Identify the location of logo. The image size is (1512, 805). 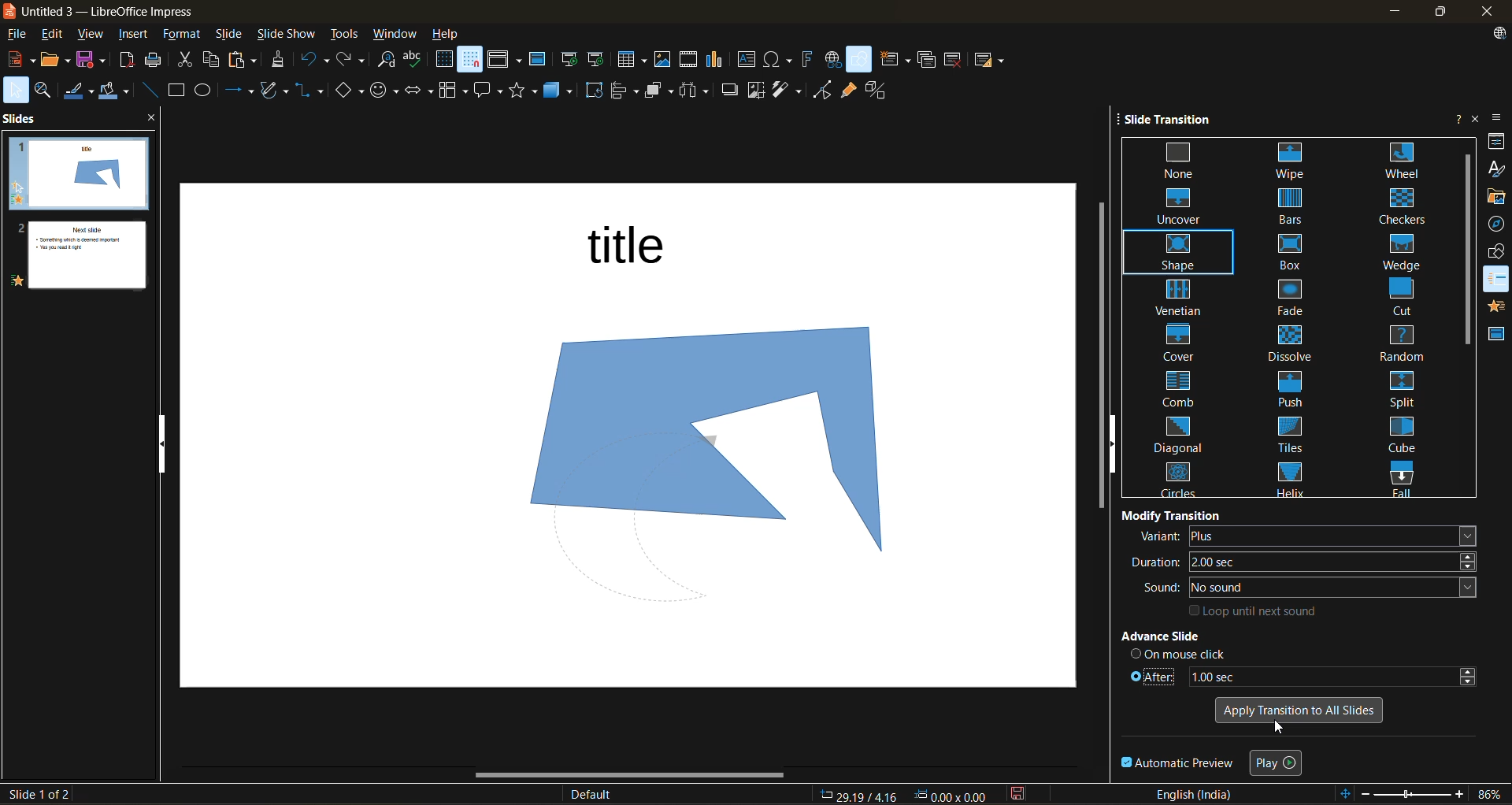
(9, 10).